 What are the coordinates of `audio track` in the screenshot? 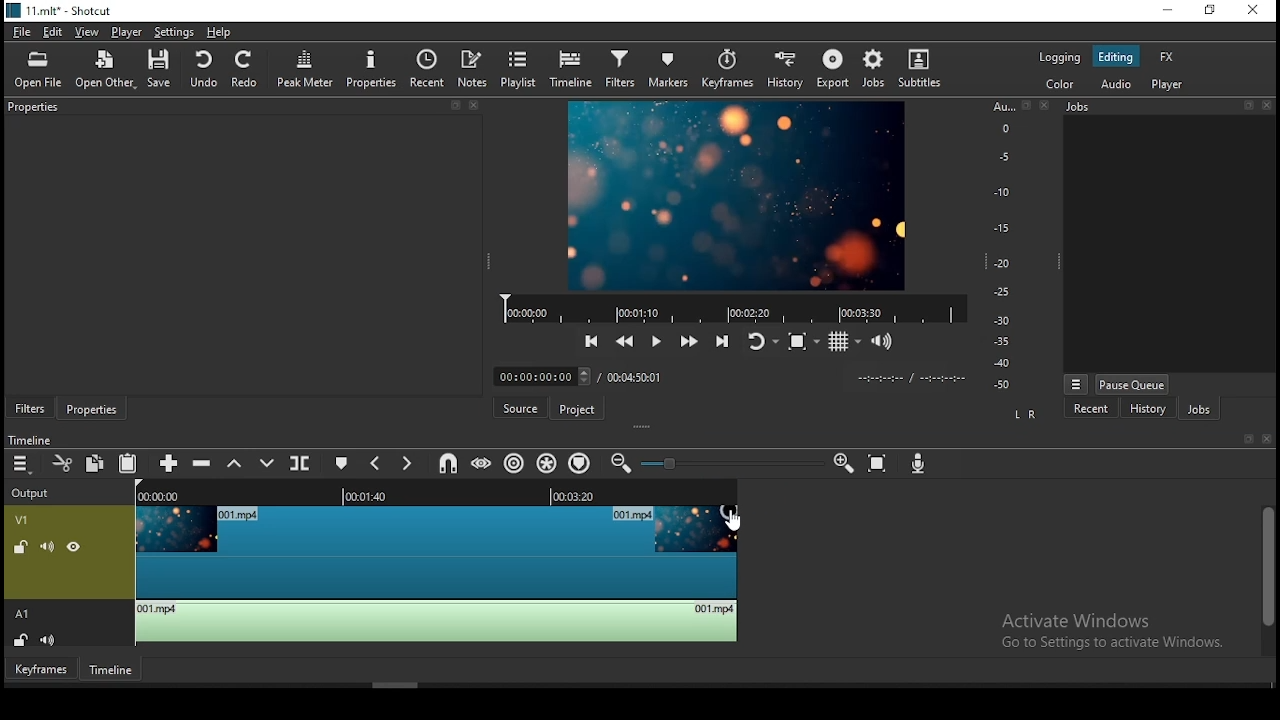 It's located at (377, 624).